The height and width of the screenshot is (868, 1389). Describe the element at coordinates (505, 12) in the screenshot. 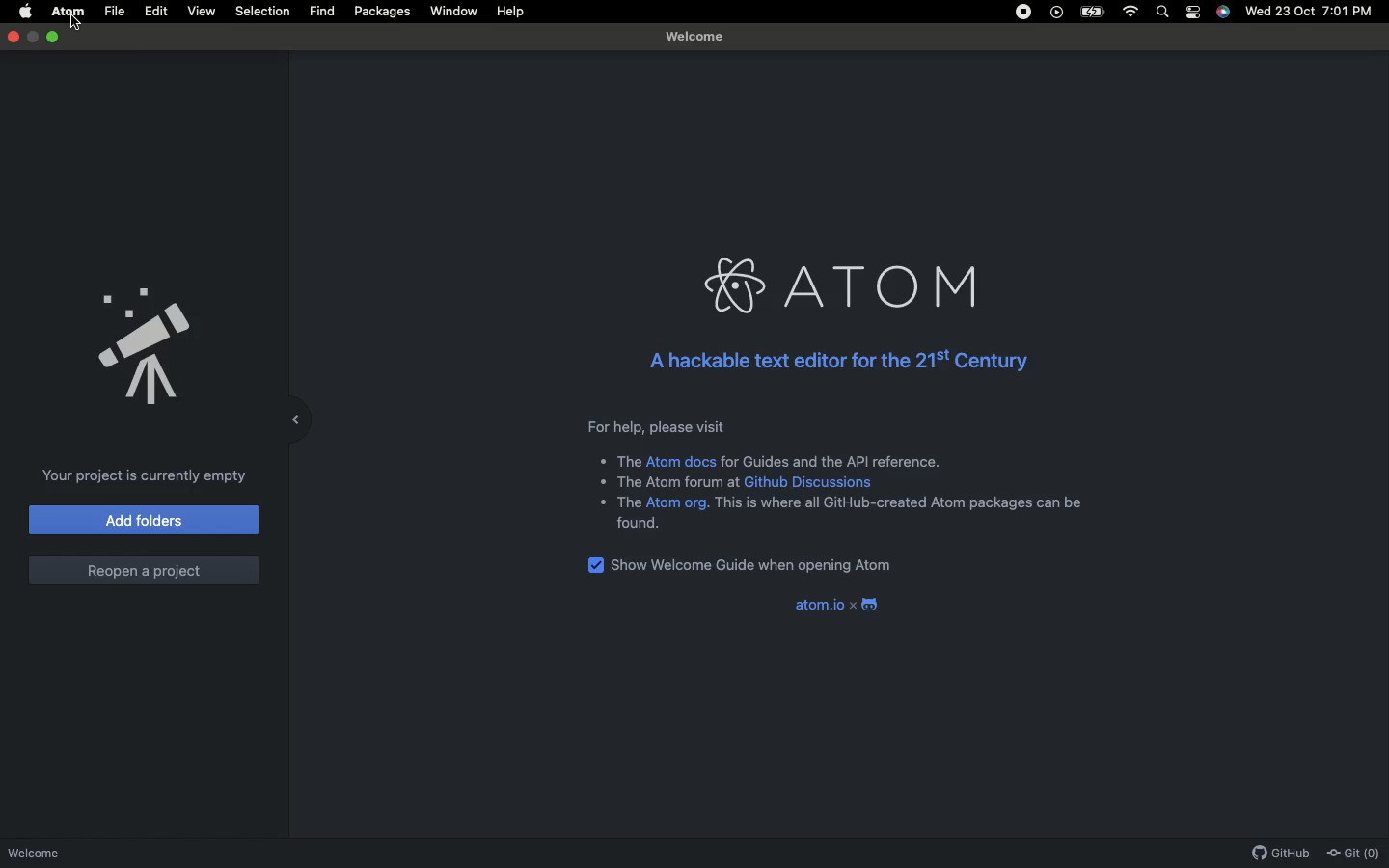

I see `Help` at that location.